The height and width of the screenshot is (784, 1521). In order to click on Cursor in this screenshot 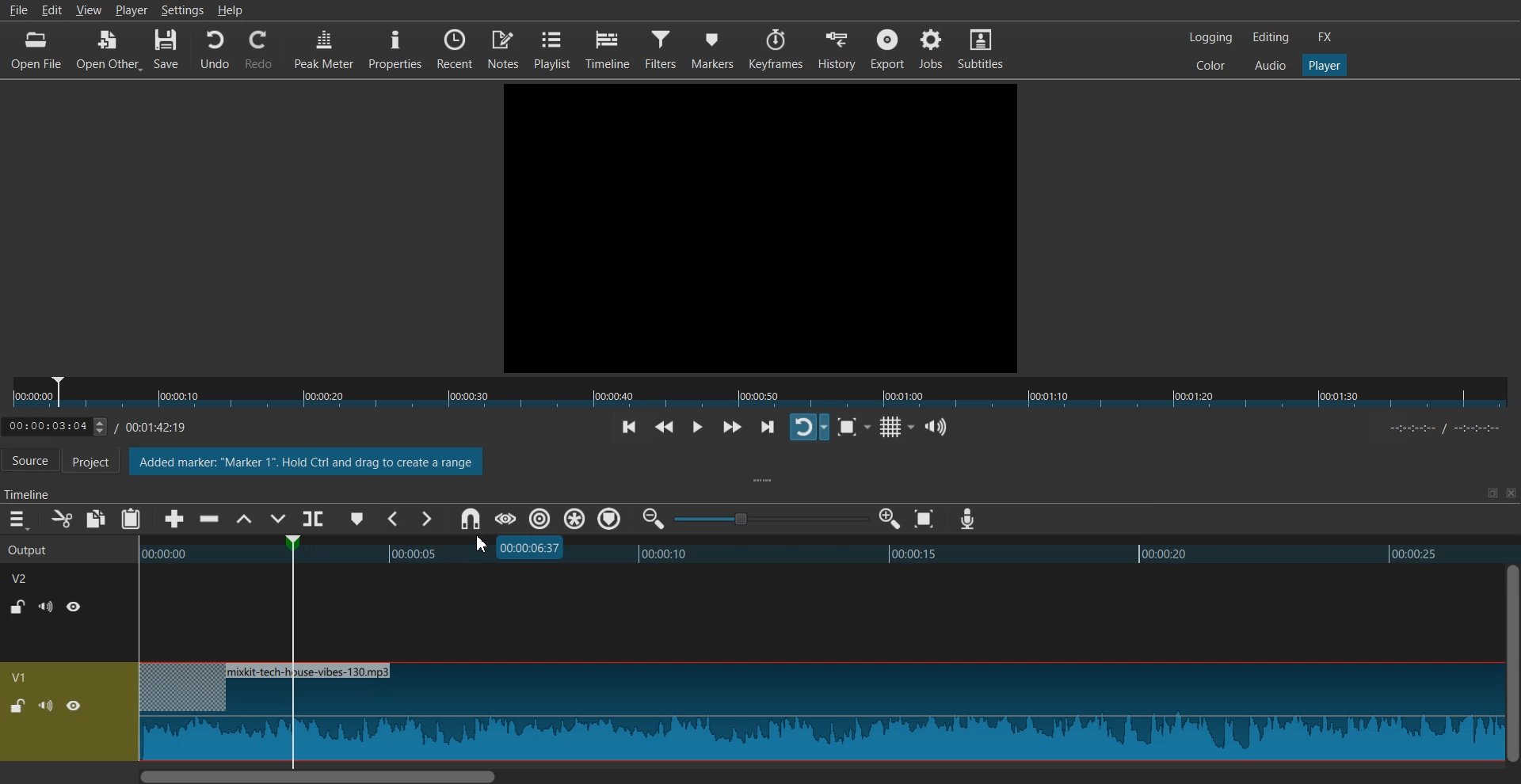, I will do `click(481, 545)`.